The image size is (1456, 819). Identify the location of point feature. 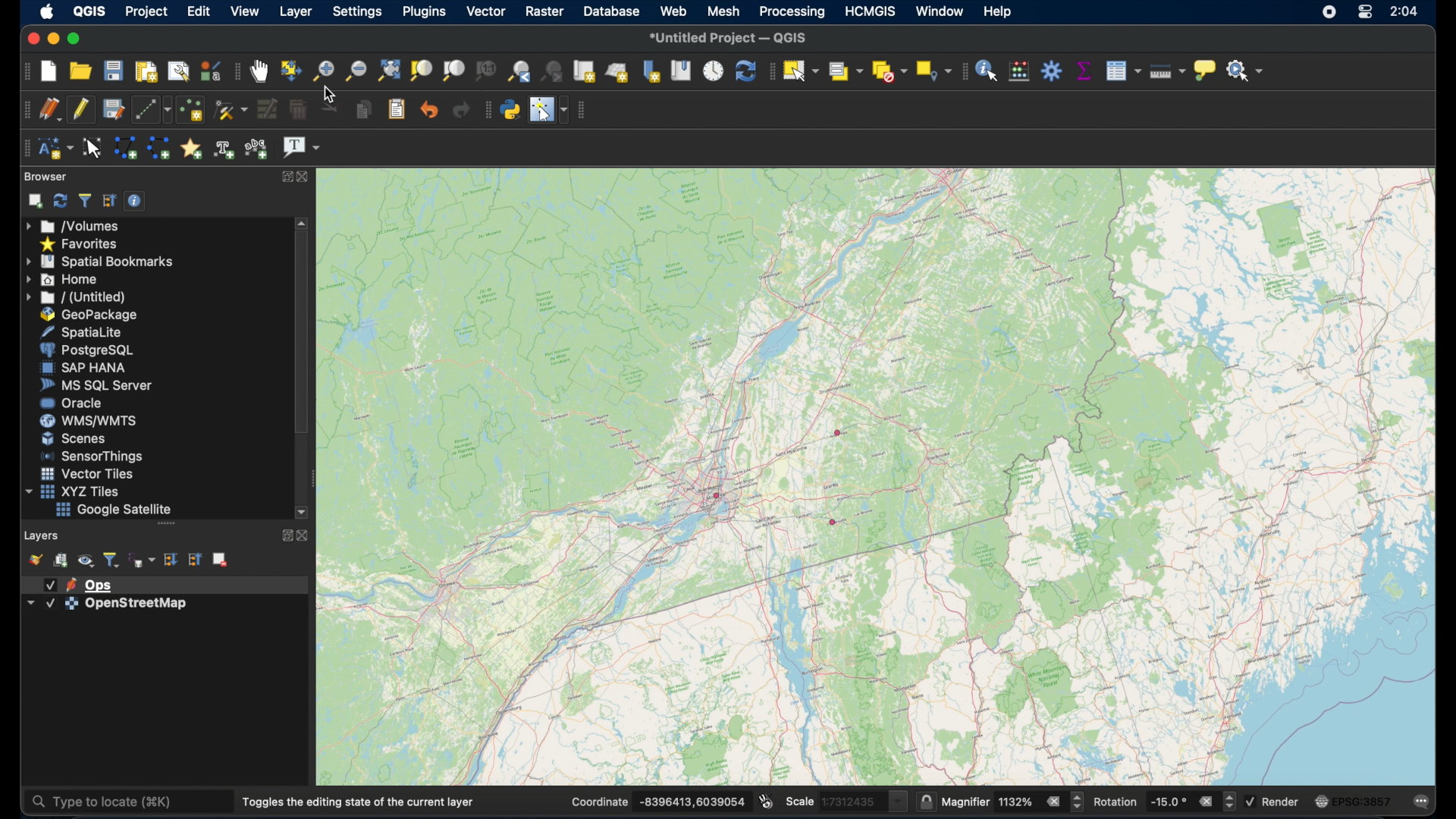
(717, 494).